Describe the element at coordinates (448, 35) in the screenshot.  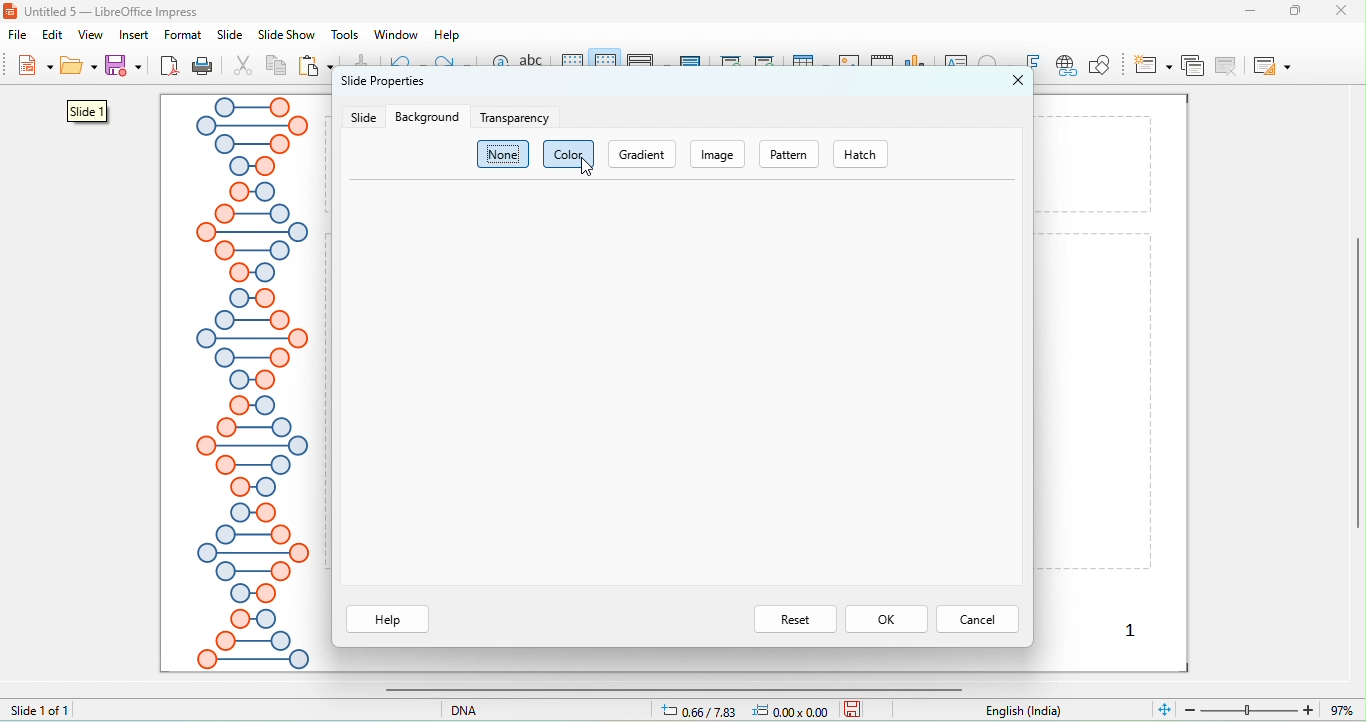
I see `help` at that location.